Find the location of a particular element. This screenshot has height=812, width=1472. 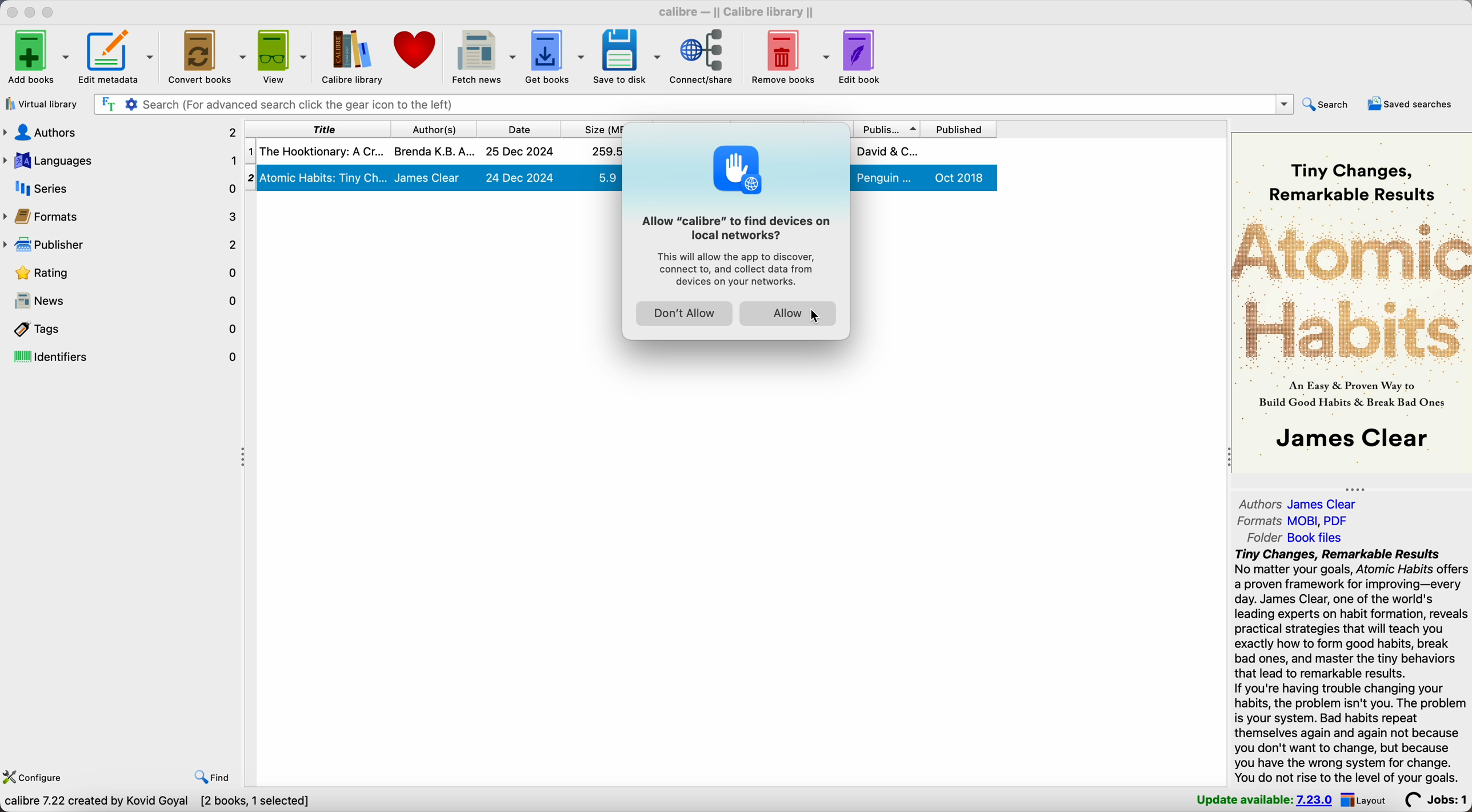

languages is located at coordinates (121, 162).